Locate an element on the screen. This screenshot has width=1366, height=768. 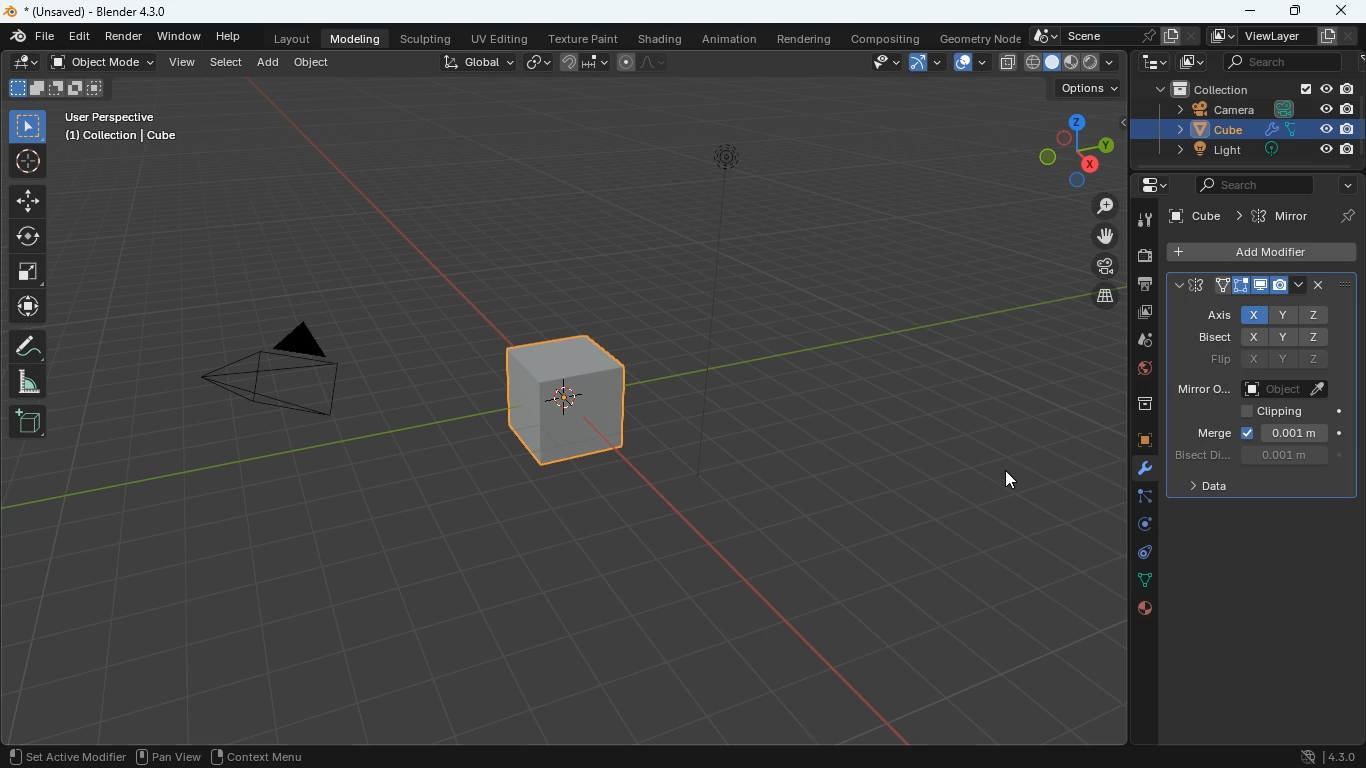
>Data is located at coordinates (1199, 487).